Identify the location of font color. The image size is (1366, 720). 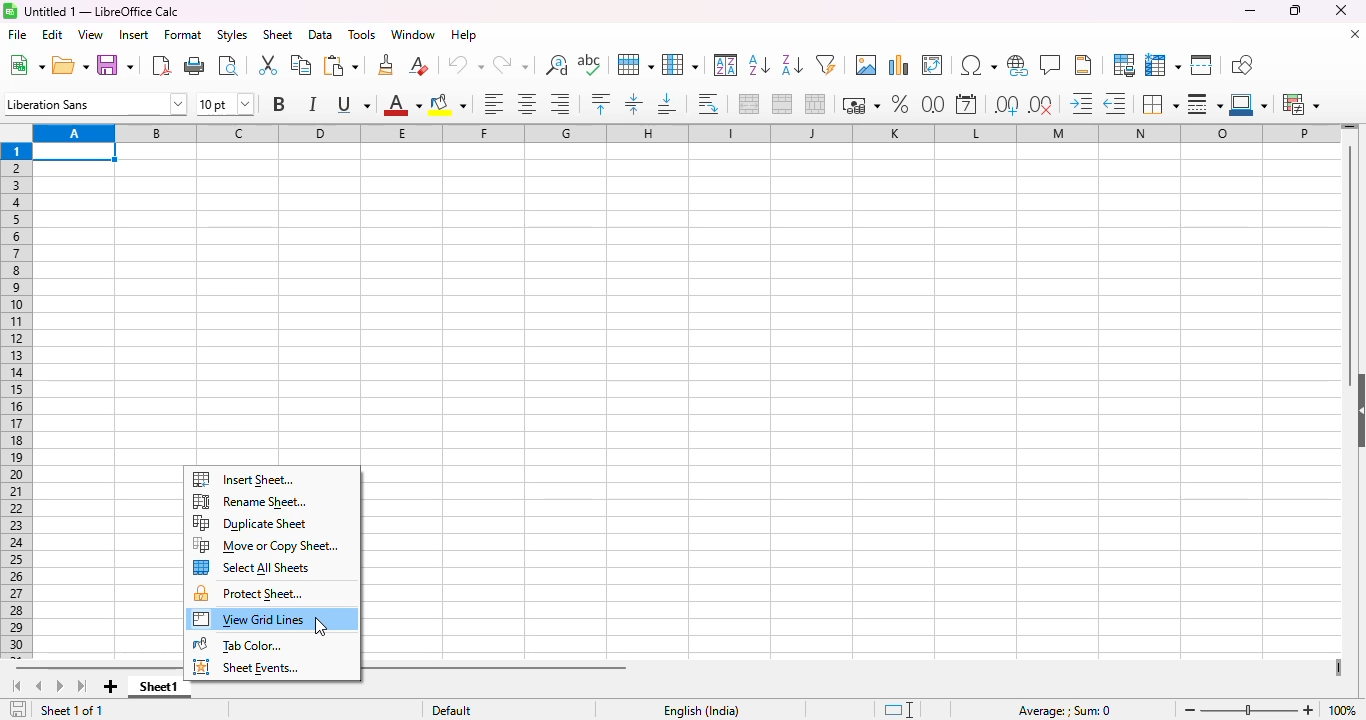
(401, 104).